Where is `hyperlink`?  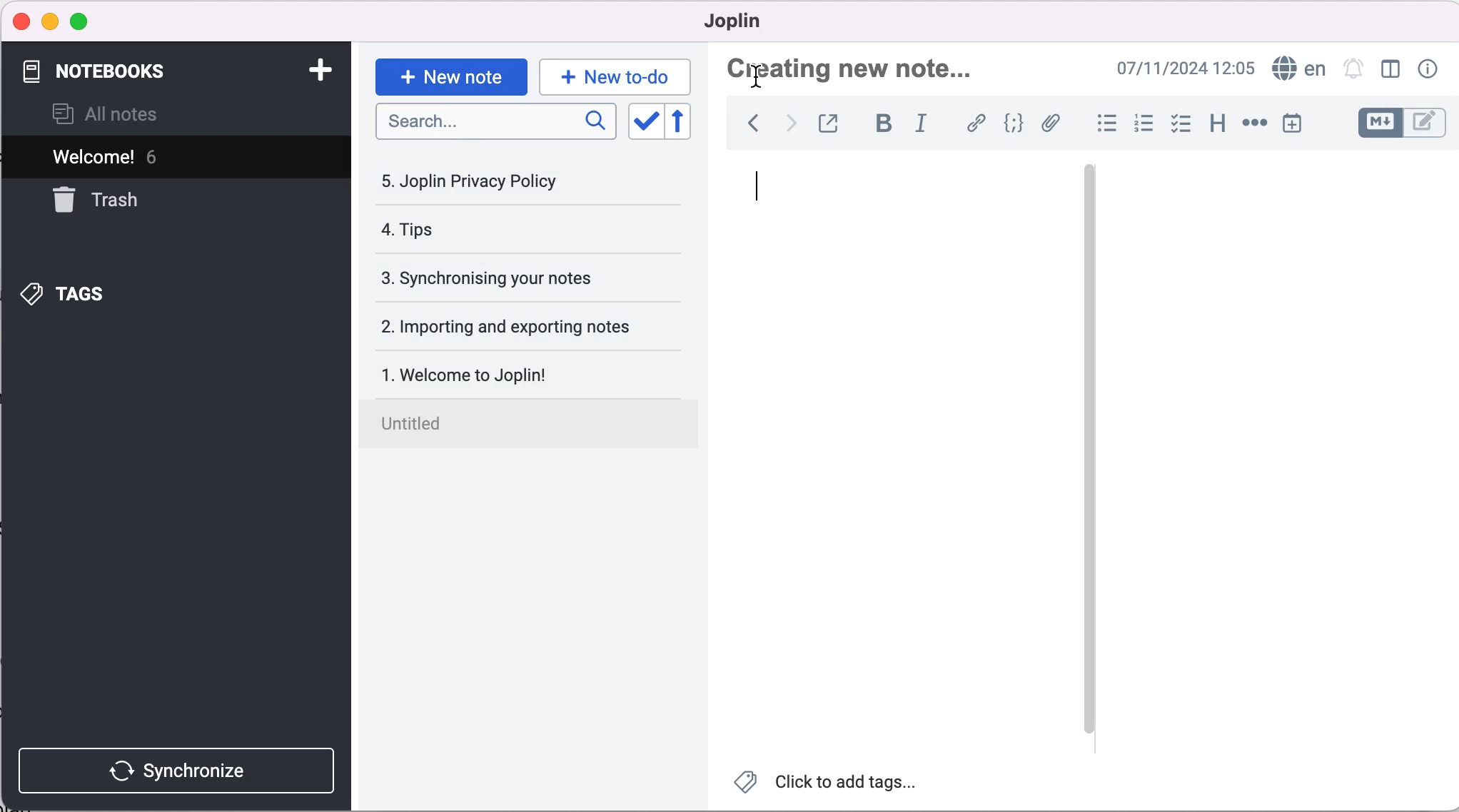
hyperlink is located at coordinates (972, 123).